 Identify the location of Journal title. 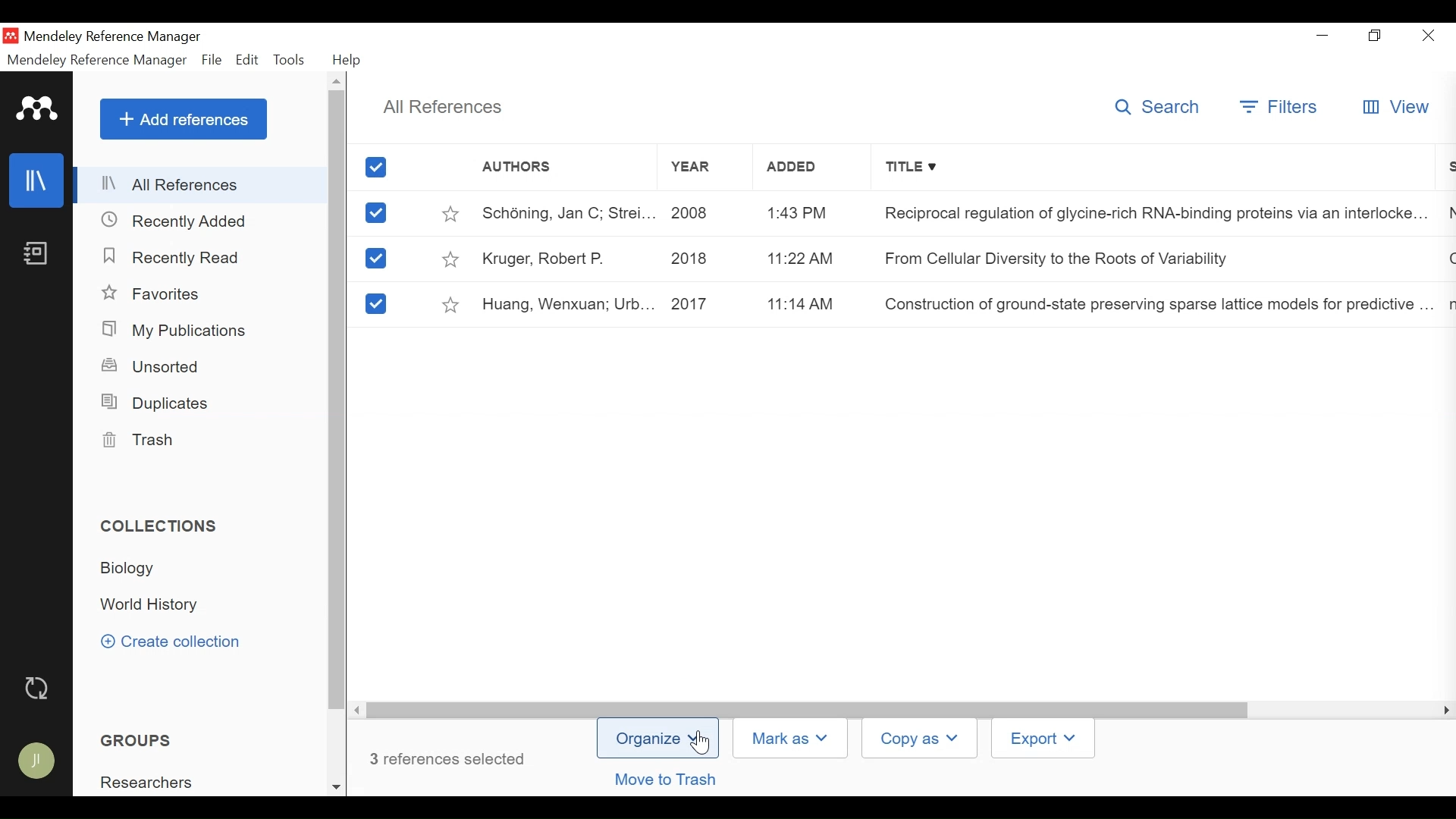
(1149, 212).